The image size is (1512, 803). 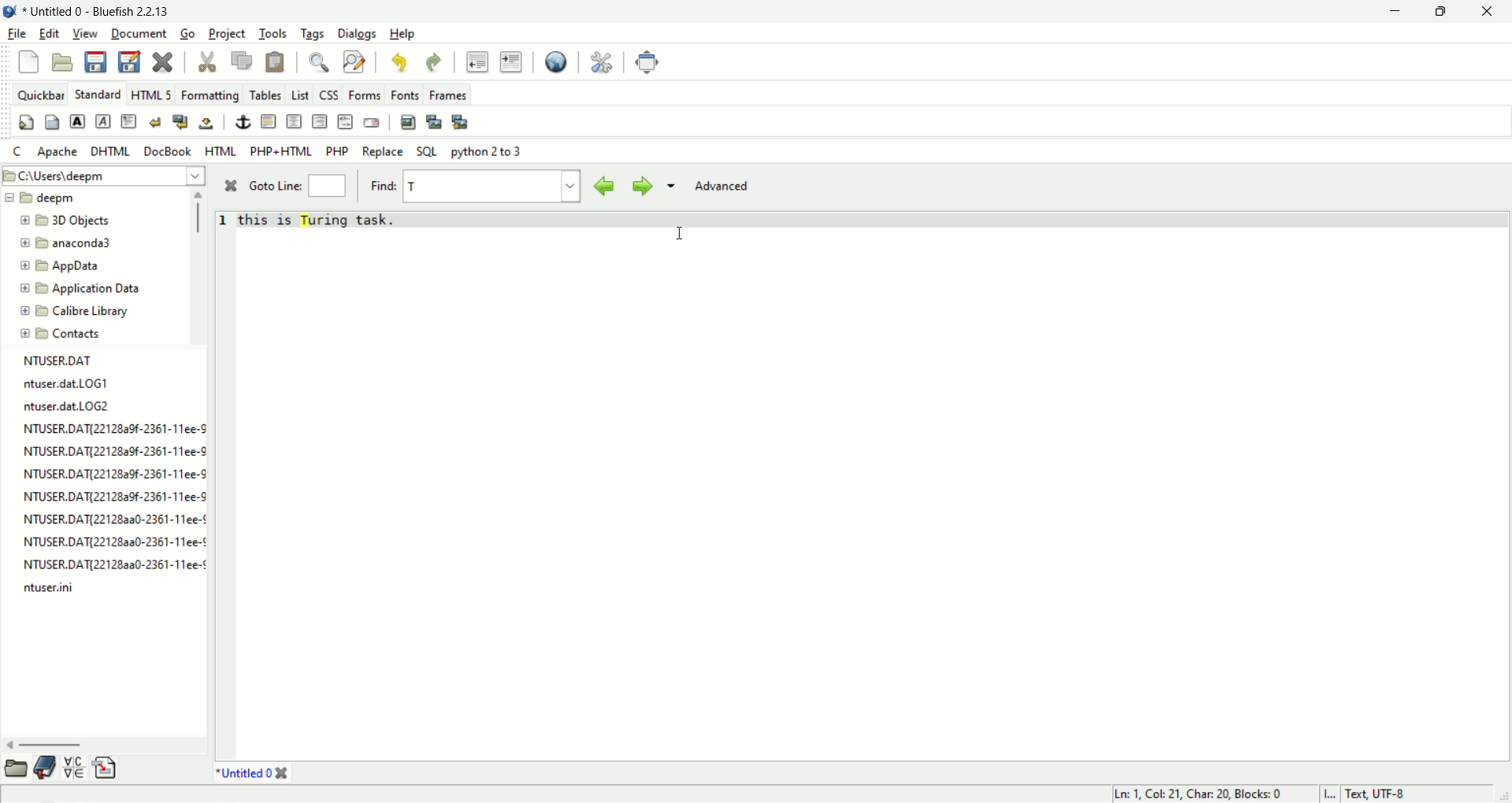 I want to click on list, so click(x=302, y=96).